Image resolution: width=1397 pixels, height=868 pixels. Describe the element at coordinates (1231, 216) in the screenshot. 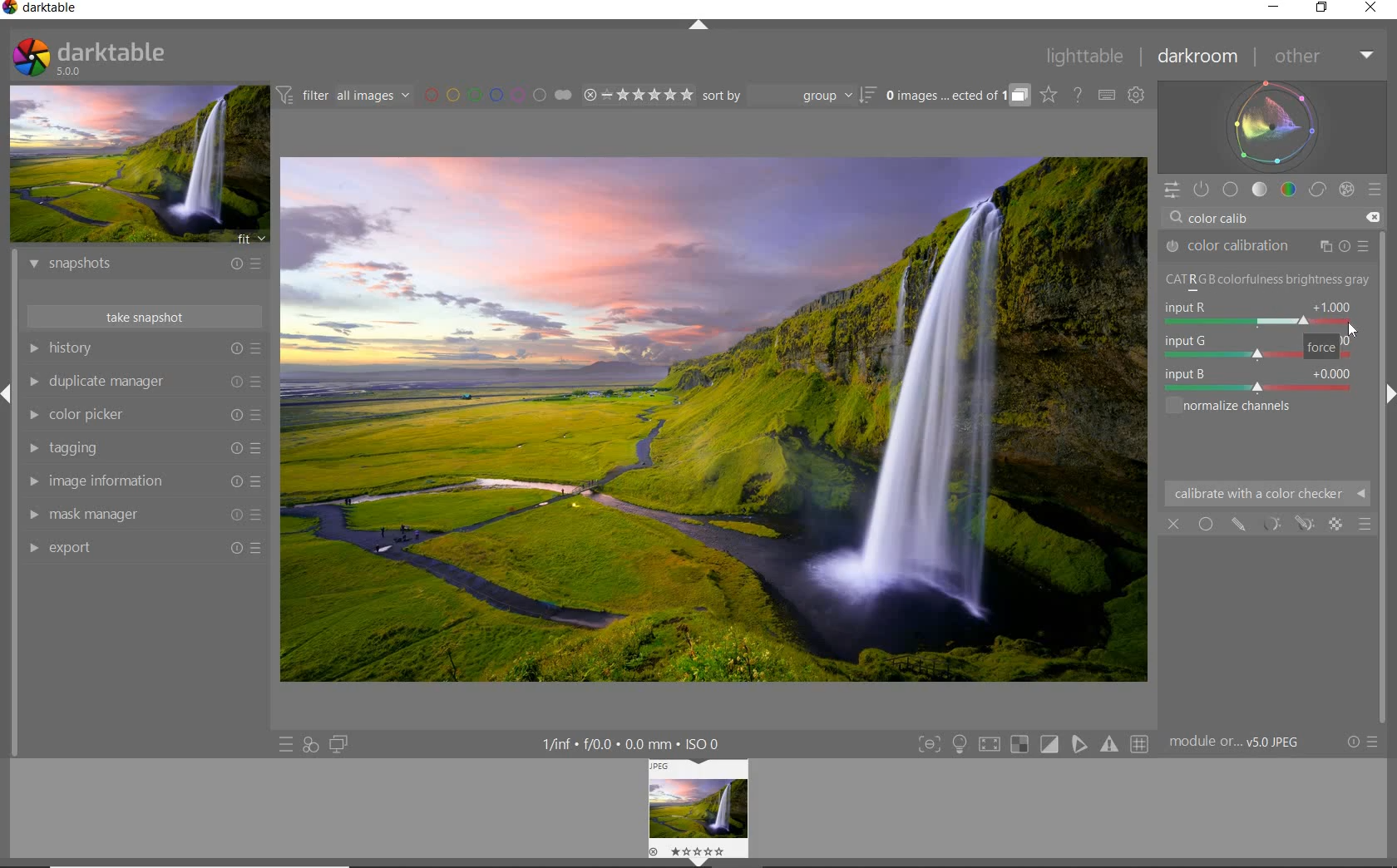

I see `INPUT VALUE` at that location.